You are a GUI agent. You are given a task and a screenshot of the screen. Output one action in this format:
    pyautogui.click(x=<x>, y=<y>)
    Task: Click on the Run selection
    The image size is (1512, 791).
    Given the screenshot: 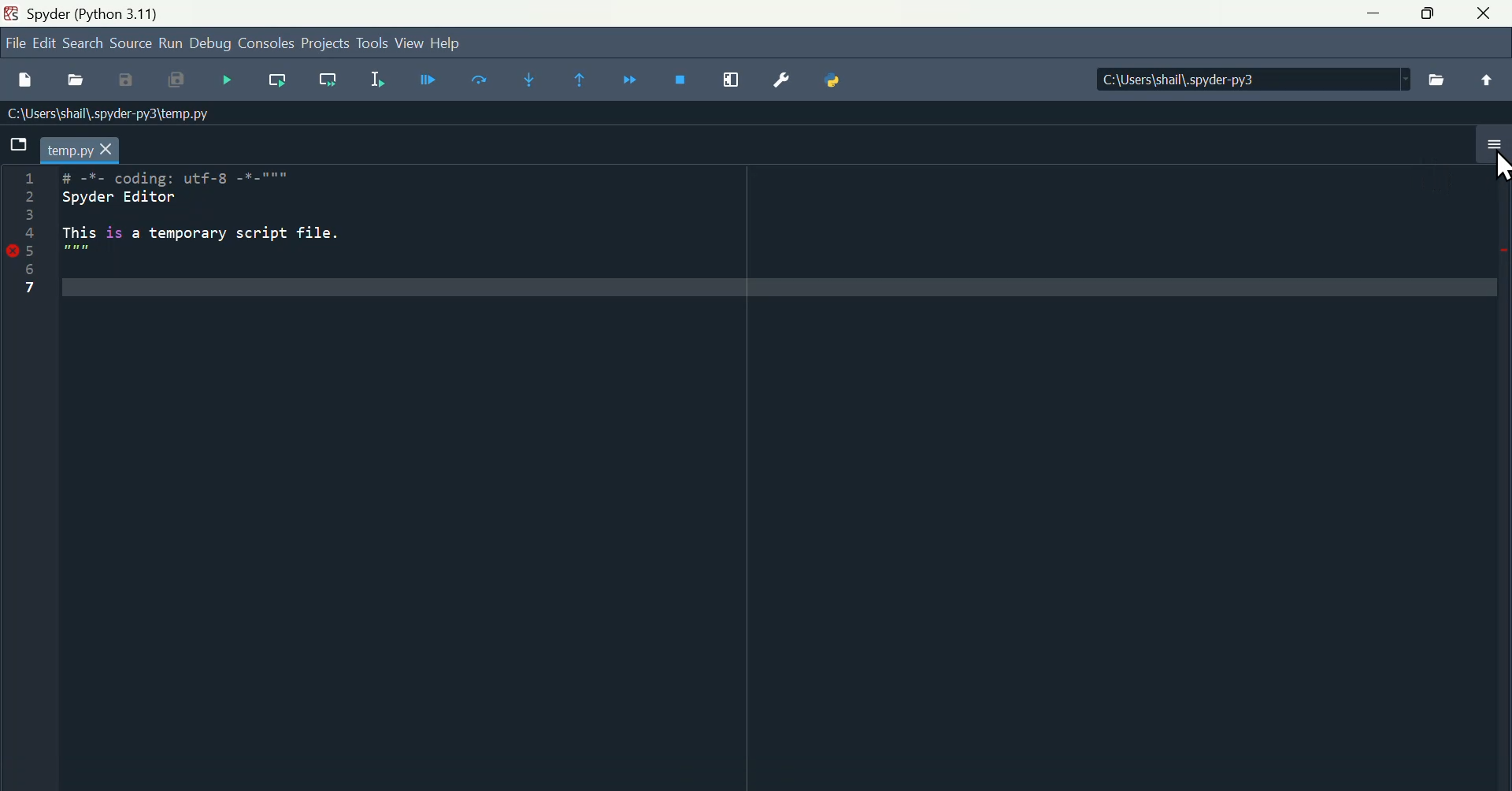 What is the action you would take?
    pyautogui.click(x=374, y=83)
    